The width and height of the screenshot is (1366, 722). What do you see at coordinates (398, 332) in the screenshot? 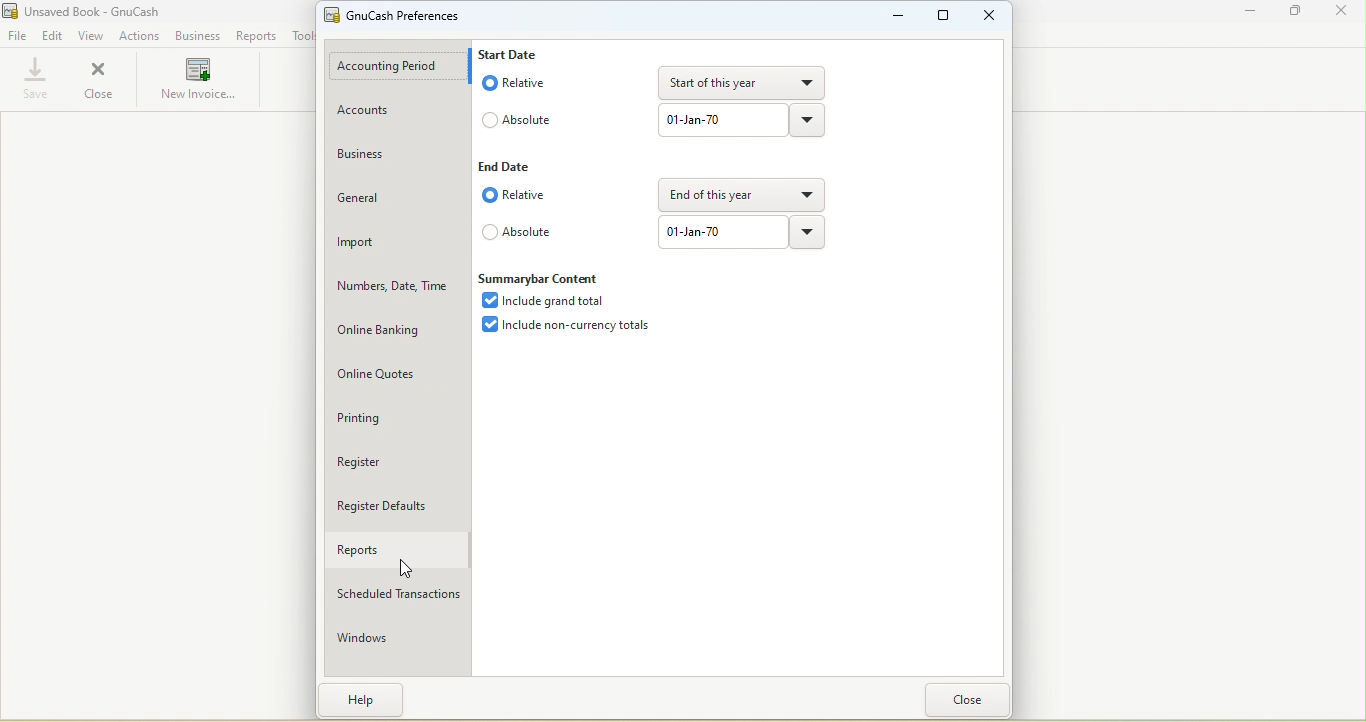
I see `Online banking` at bounding box center [398, 332].